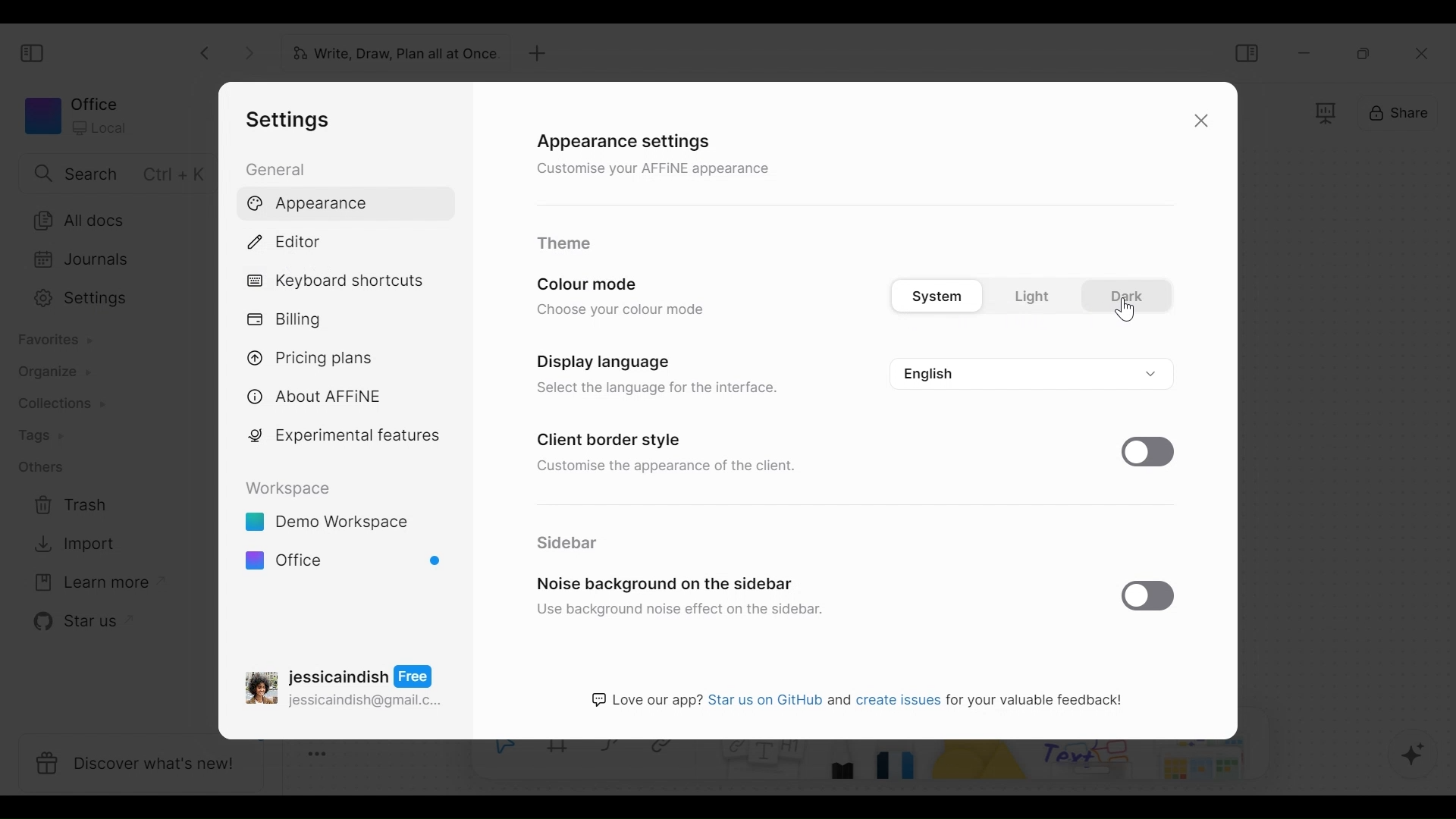  Describe the element at coordinates (116, 174) in the screenshot. I see `Search` at that location.